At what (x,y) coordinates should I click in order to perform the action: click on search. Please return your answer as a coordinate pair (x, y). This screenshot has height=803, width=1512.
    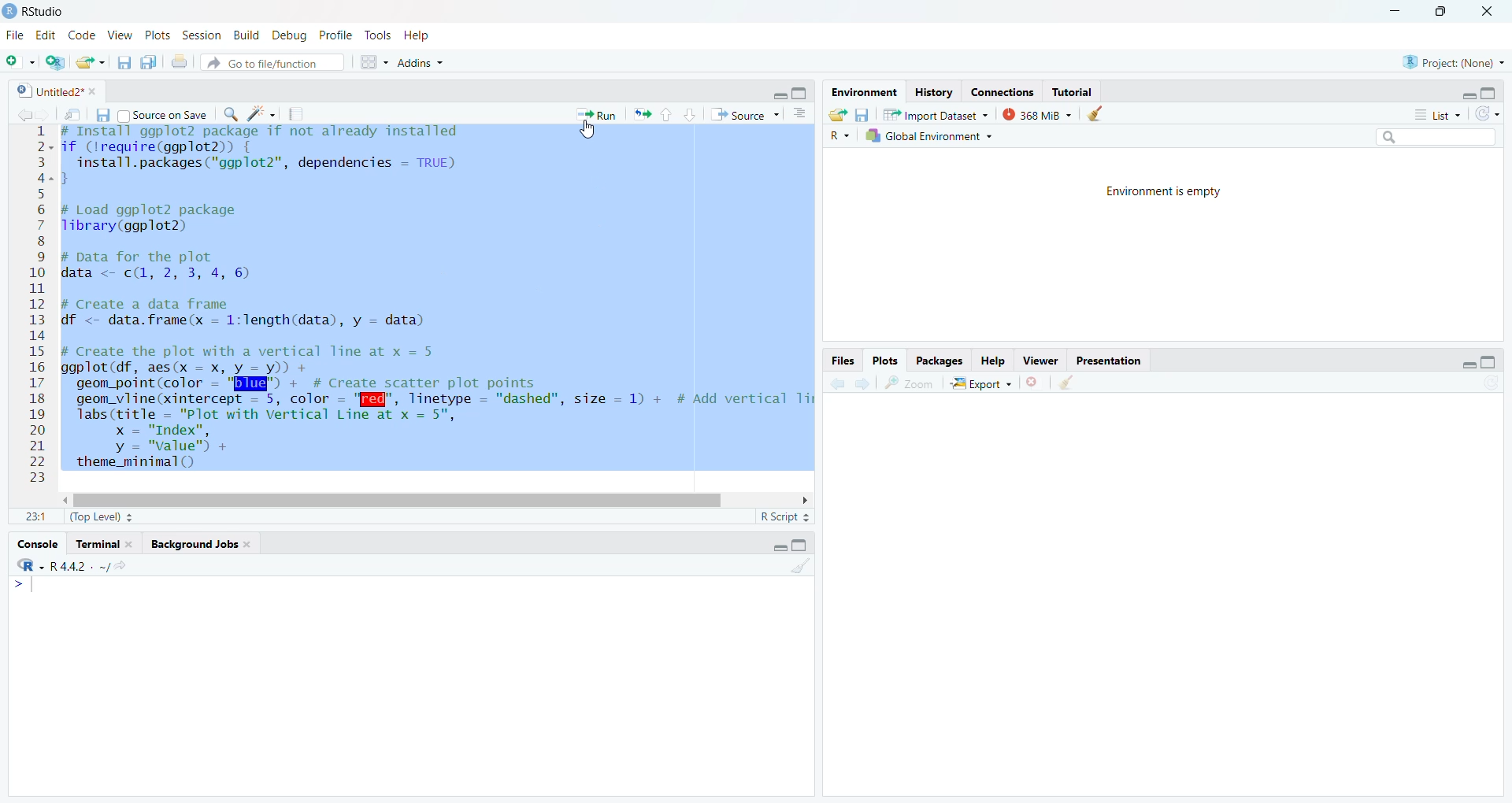
    Looking at the image, I should click on (1437, 139).